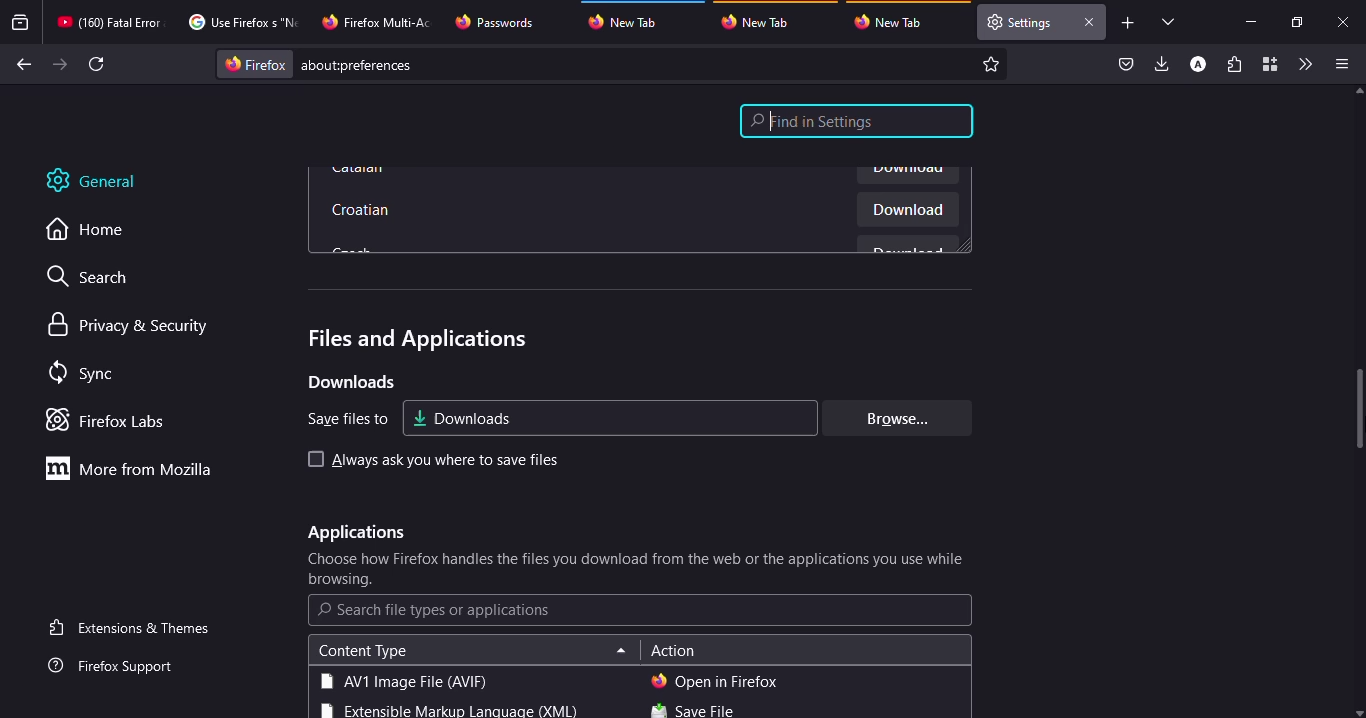 The width and height of the screenshot is (1366, 718). Describe the element at coordinates (894, 22) in the screenshot. I see `tab` at that location.